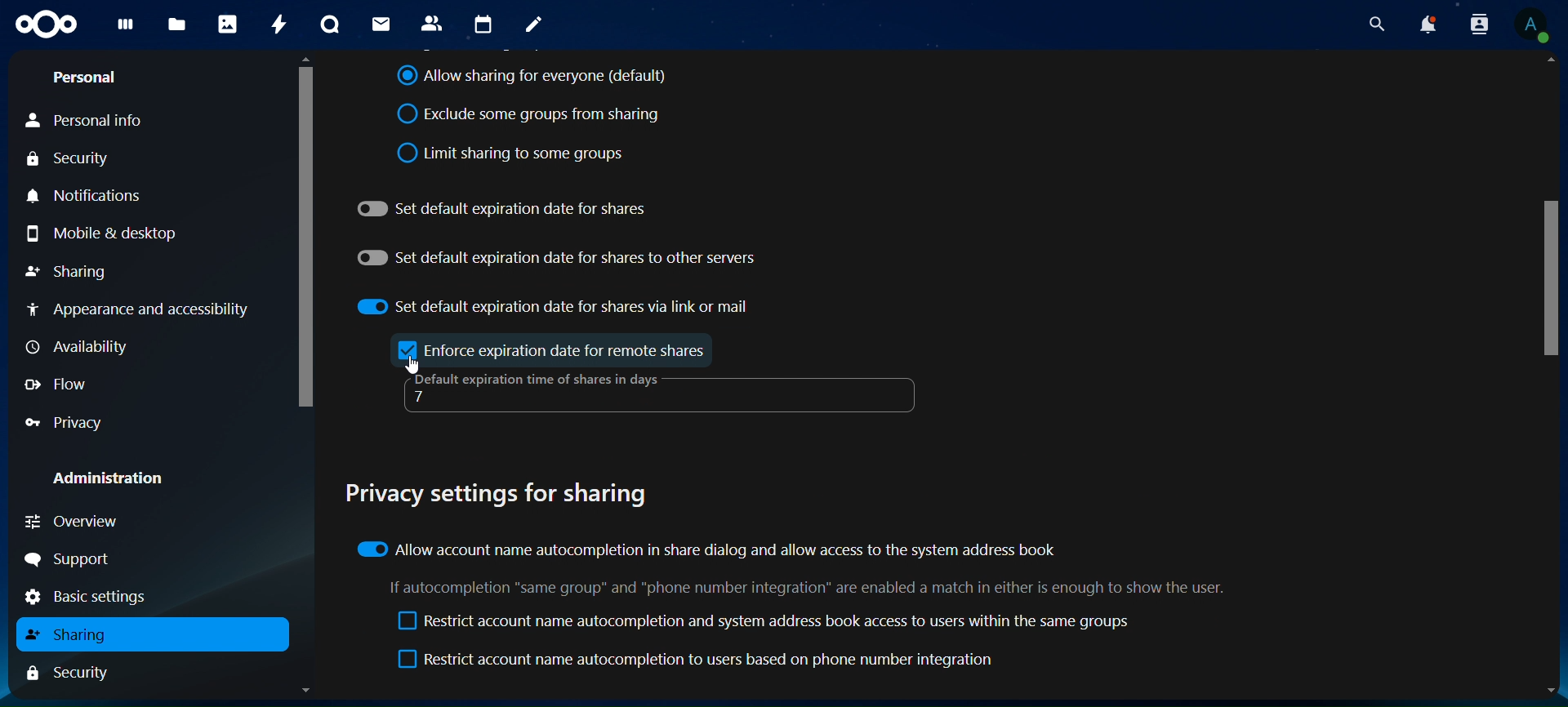  Describe the element at coordinates (1374, 24) in the screenshot. I see `search` at that location.